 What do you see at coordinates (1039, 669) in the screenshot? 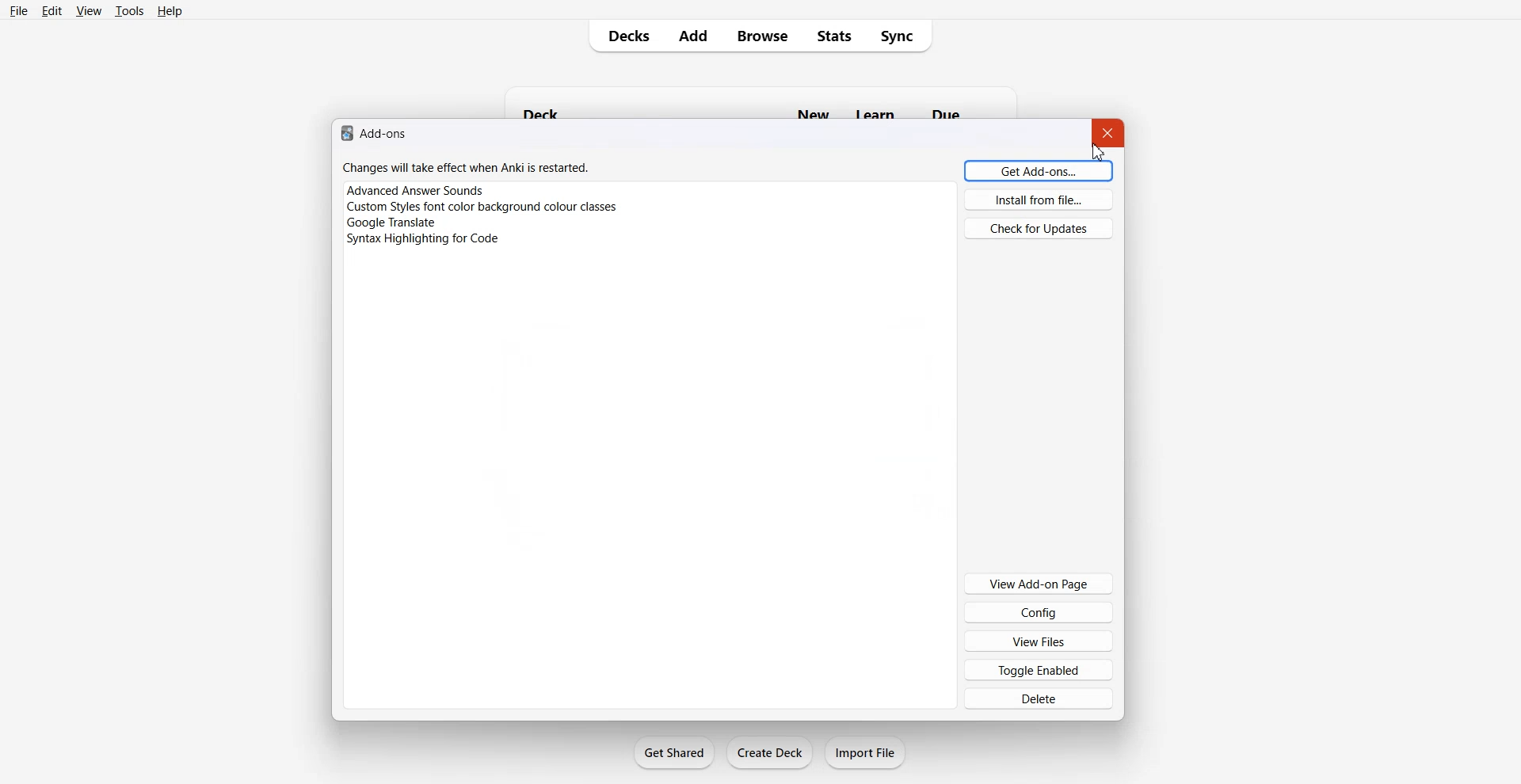
I see `Toggle Enabled` at bounding box center [1039, 669].